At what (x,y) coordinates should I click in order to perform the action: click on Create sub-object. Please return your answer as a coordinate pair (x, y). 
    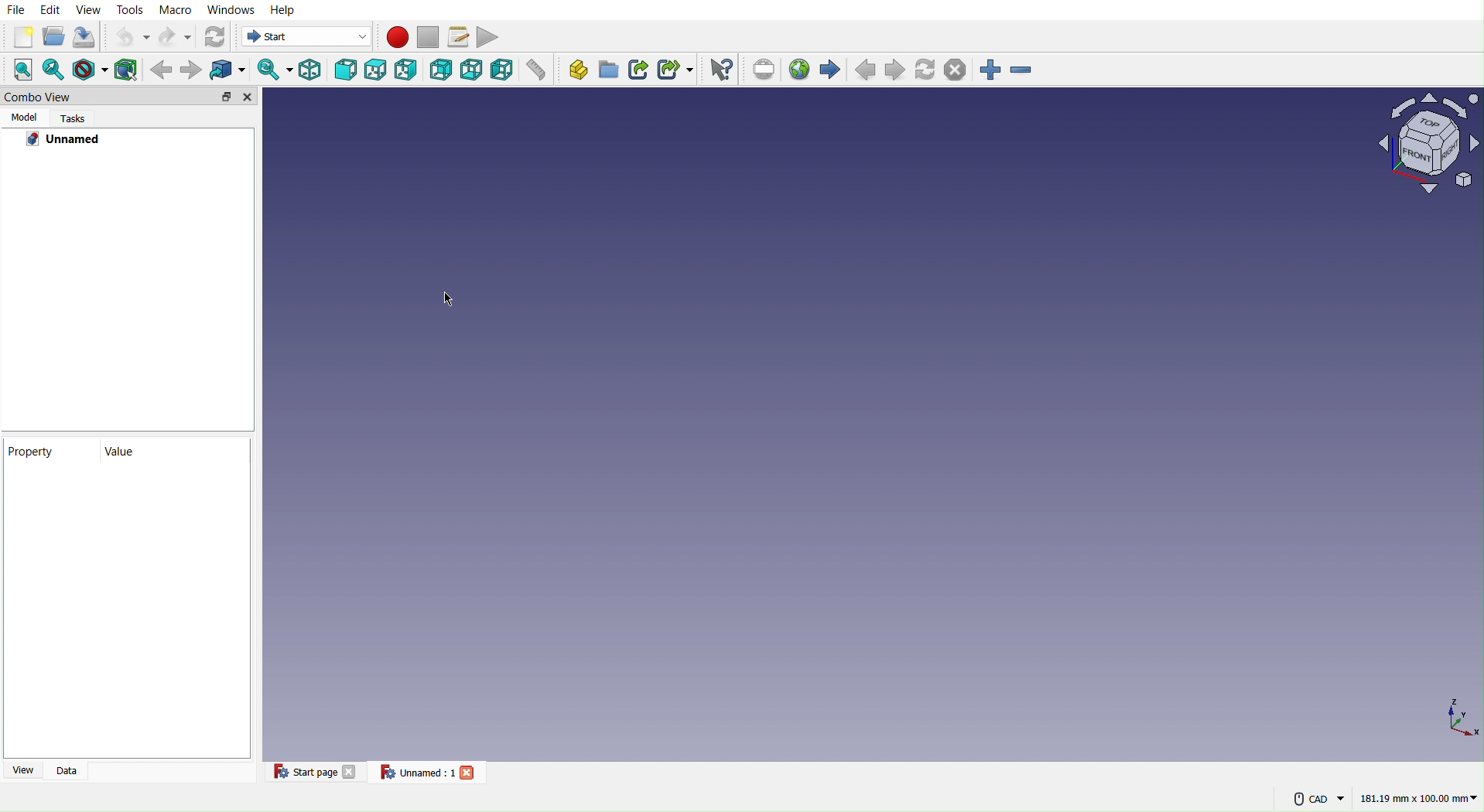
    Looking at the image, I should click on (678, 67).